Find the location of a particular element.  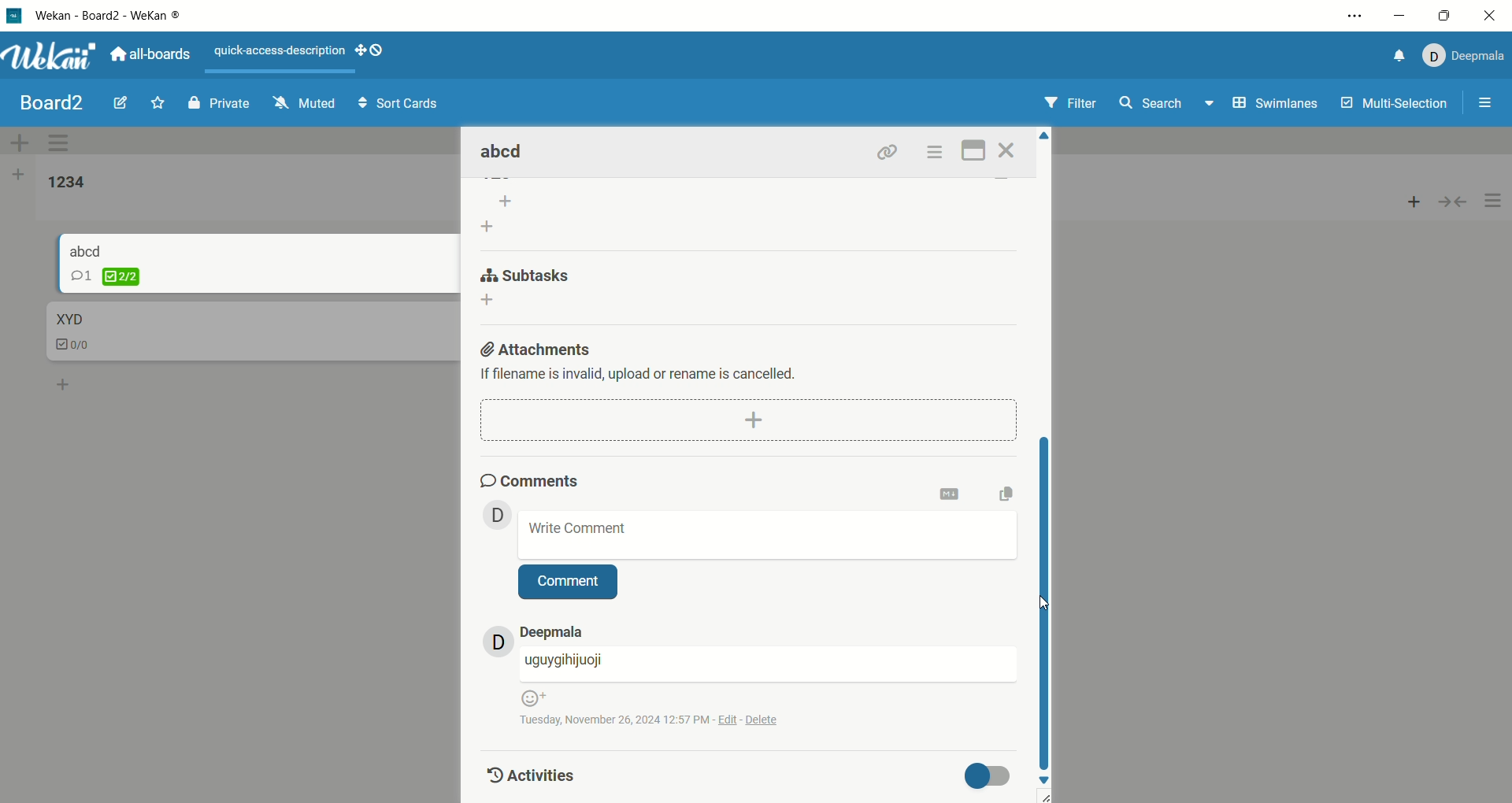

add list is located at coordinates (18, 177).